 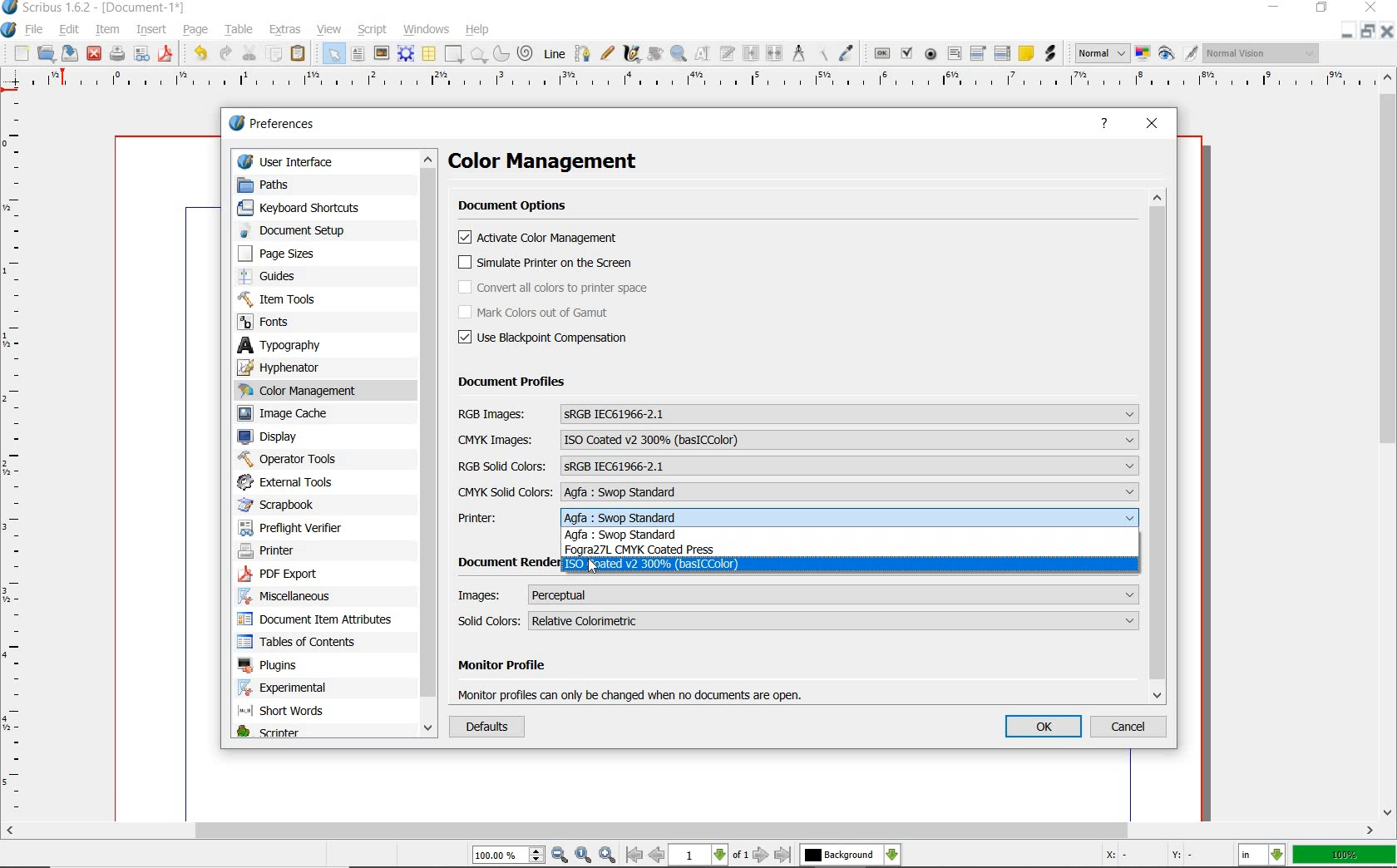 I want to click on Fogra27L CMYK Coated Press, so click(x=647, y=551).